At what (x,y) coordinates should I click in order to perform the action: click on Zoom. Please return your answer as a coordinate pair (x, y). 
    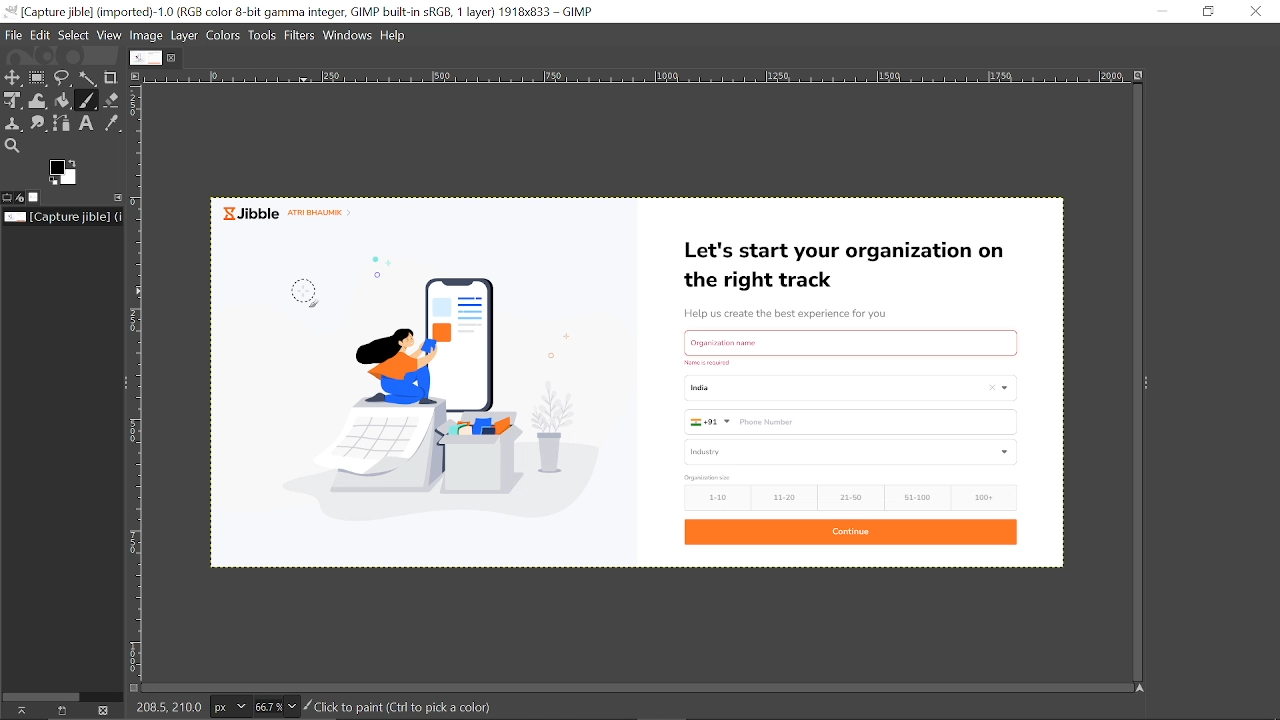
    Looking at the image, I should click on (277, 706).